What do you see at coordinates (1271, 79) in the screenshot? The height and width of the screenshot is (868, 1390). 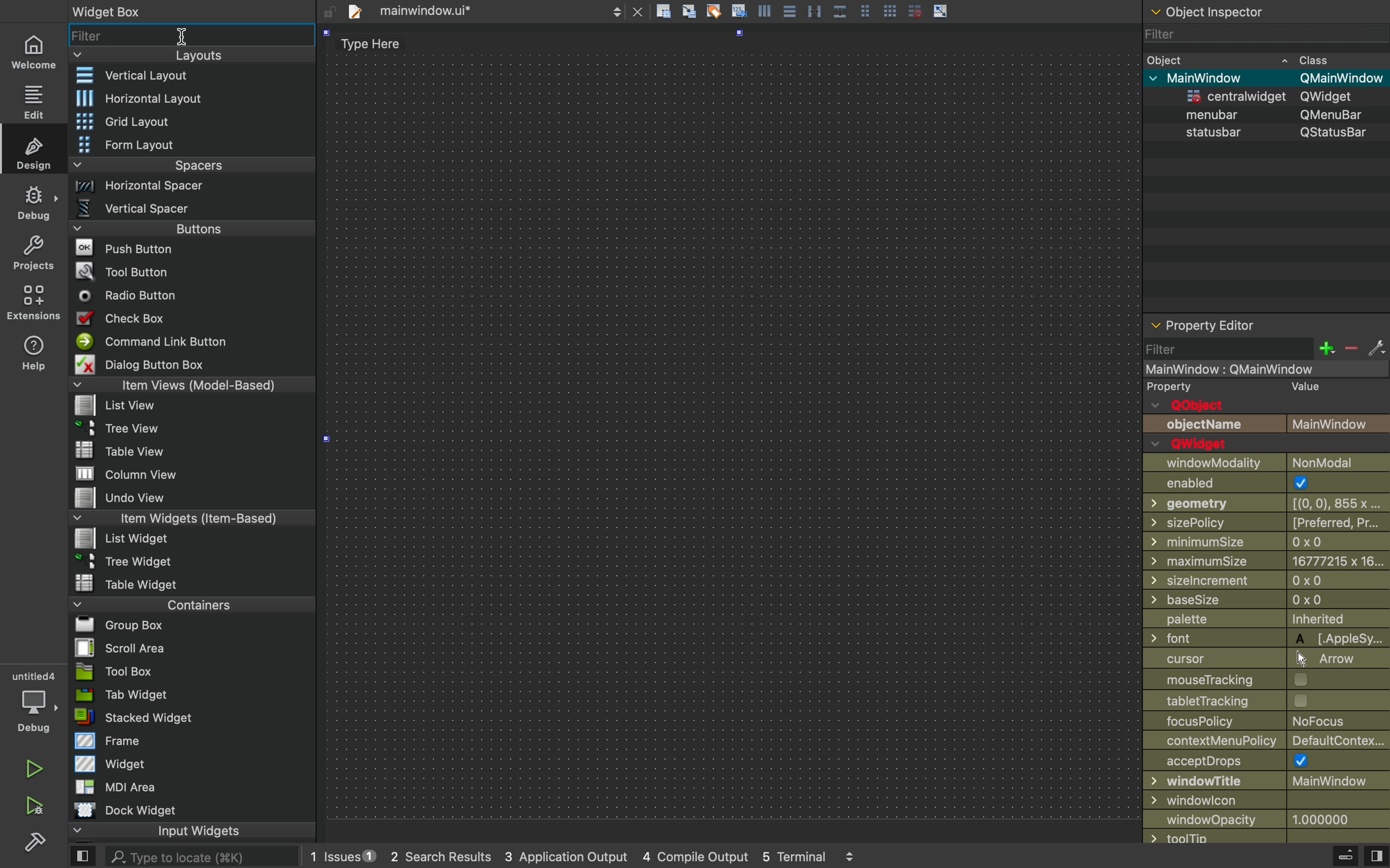 I see `mainwindow` at bounding box center [1271, 79].